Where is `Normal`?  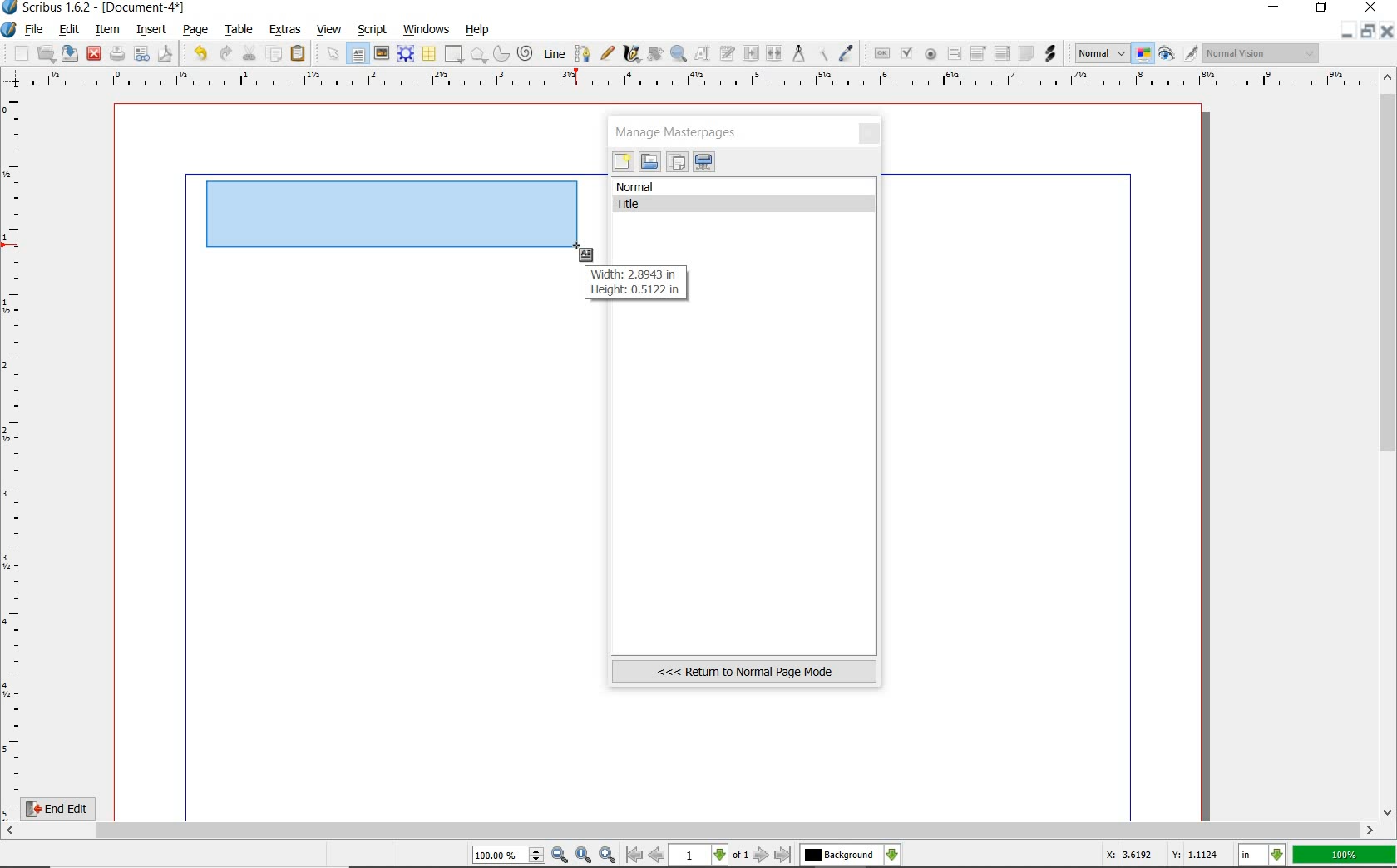 Normal is located at coordinates (1100, 53).